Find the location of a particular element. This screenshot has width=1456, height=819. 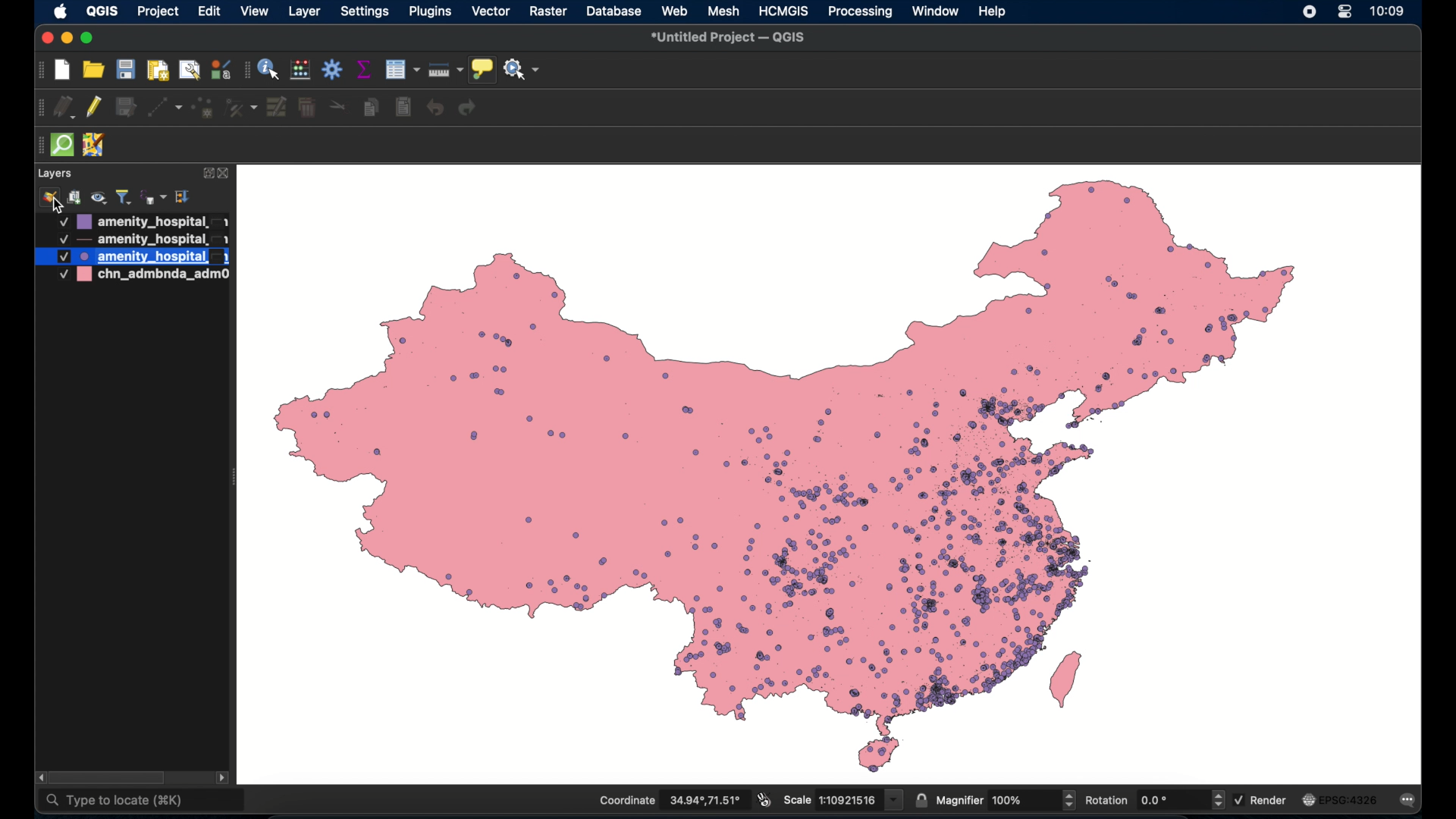

screen recorder is located at coordinates (1307, 13).